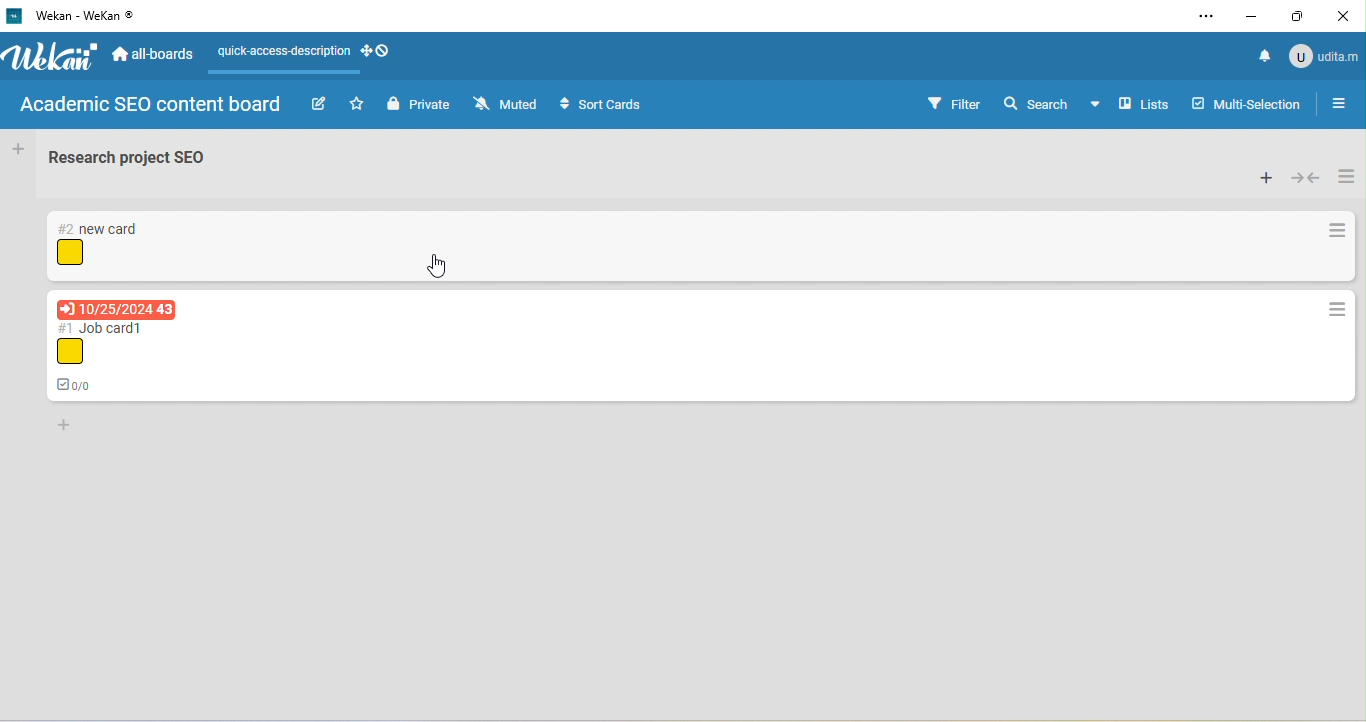  I want to click on card actions, so click(1335, 311).